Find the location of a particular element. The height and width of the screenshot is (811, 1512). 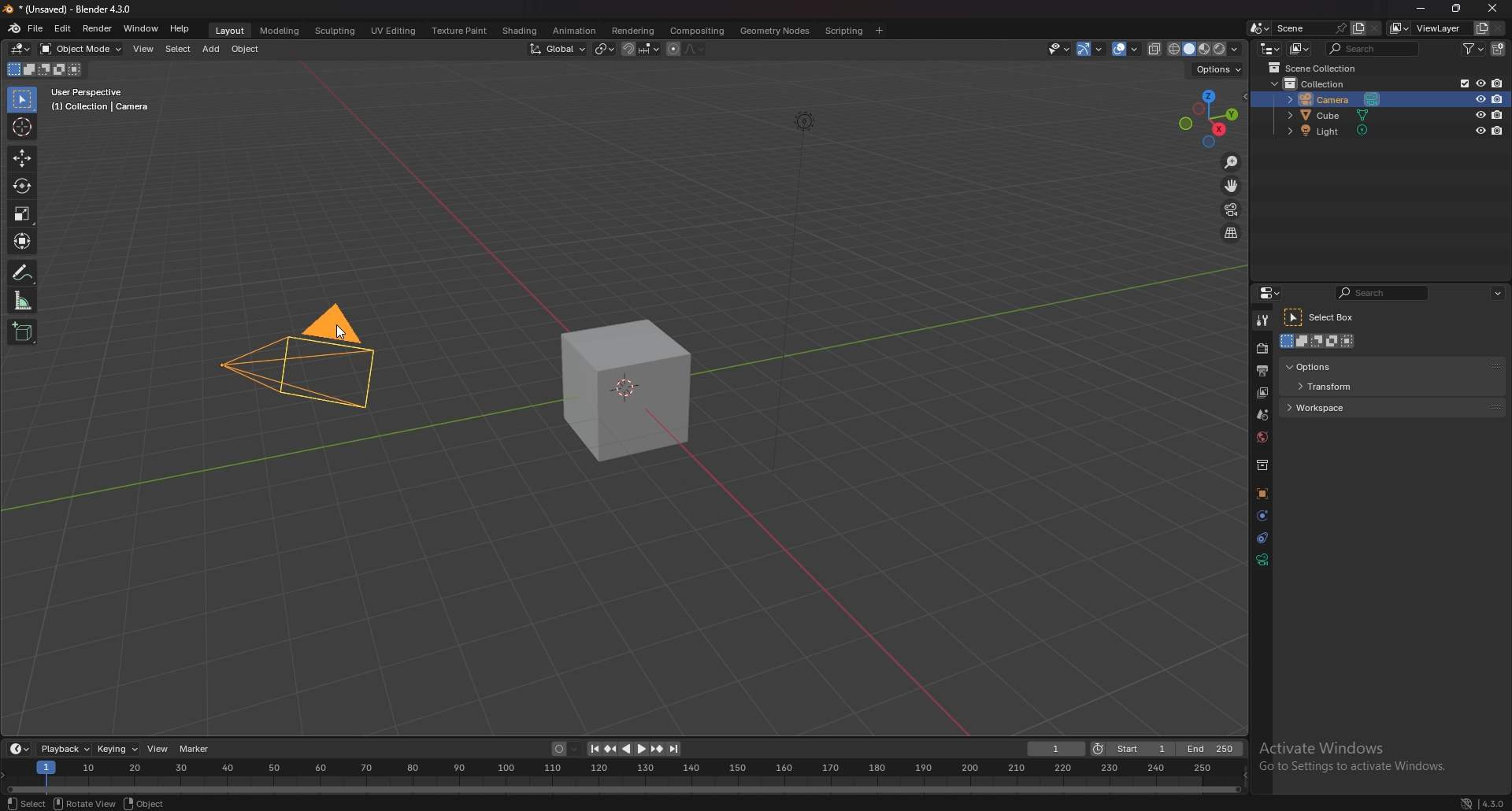

snapping is located at coordinates (639, 48).